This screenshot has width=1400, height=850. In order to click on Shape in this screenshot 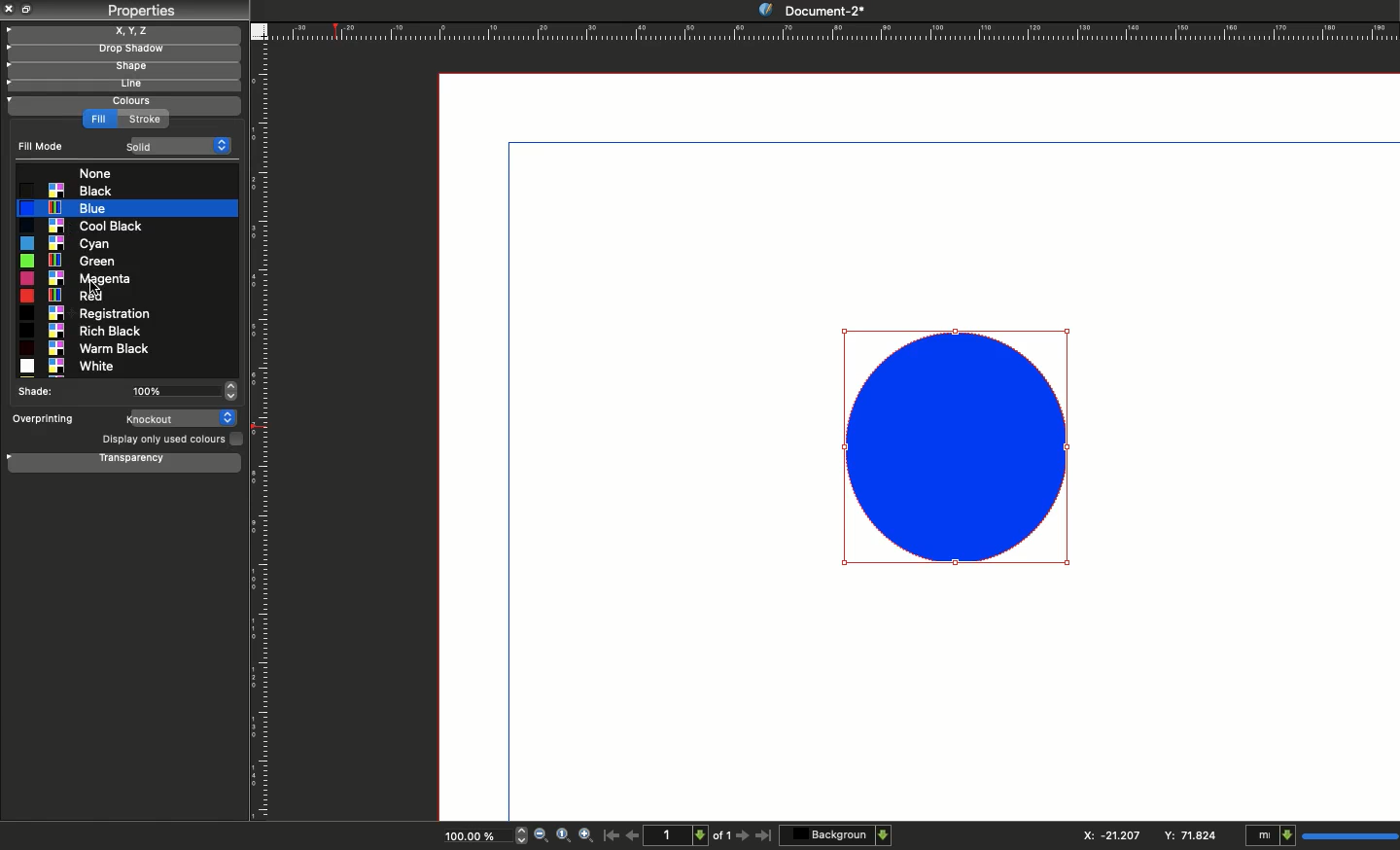, I will do `click(960, 446)`.